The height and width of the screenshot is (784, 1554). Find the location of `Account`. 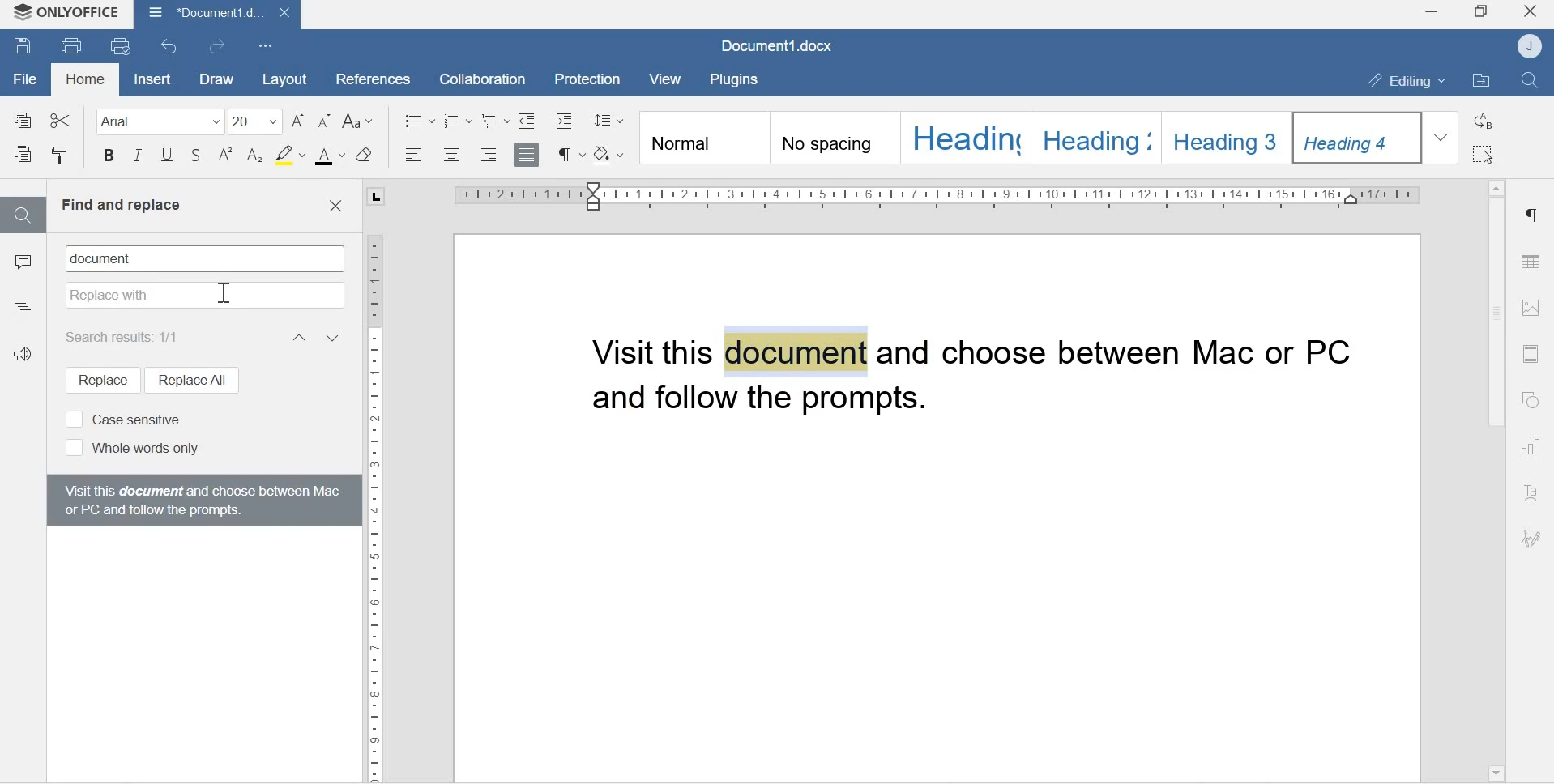

Account is located at coordinates (1532, 46).